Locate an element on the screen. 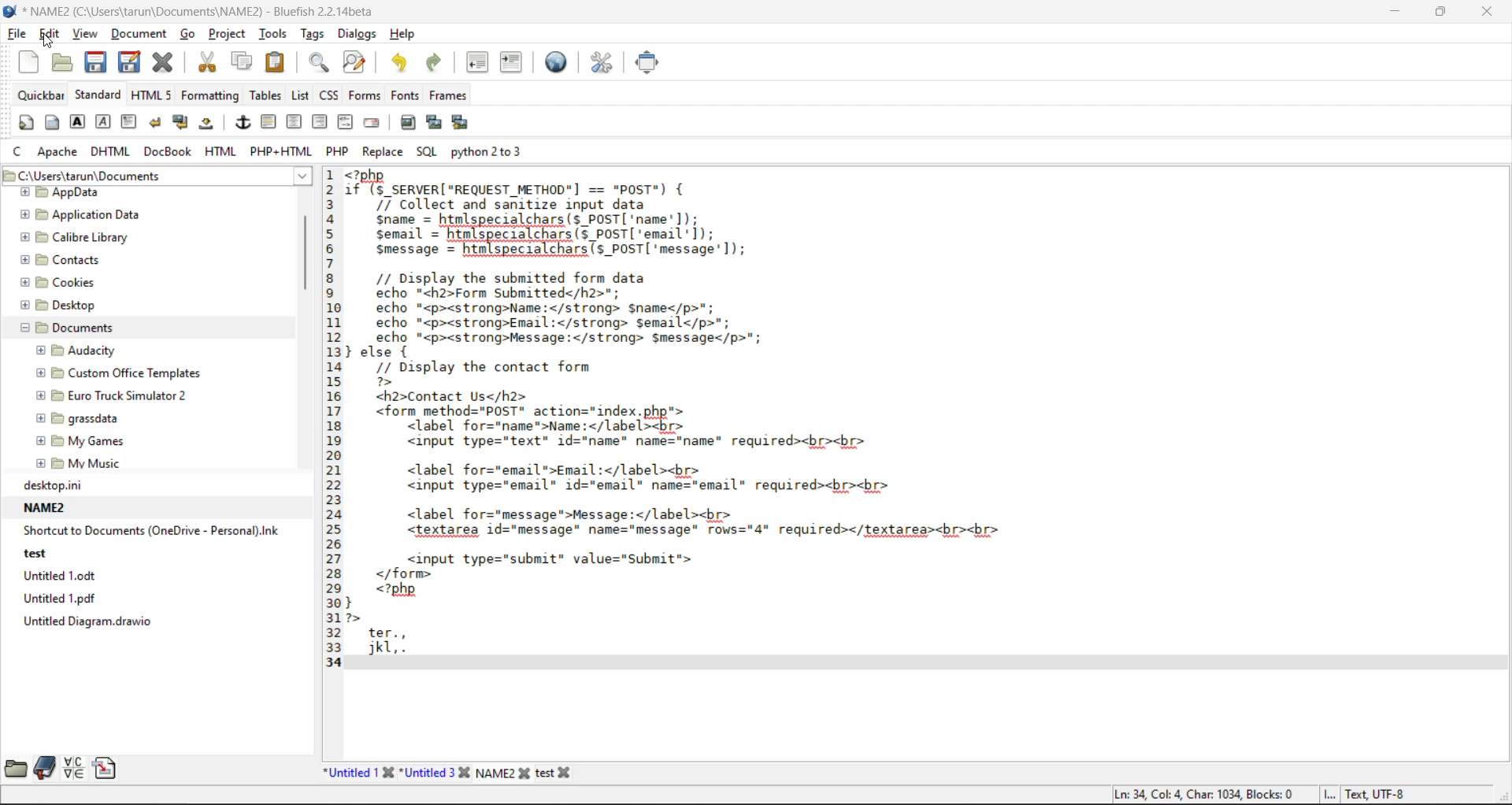  My Music is located at coordinates (81, 463).